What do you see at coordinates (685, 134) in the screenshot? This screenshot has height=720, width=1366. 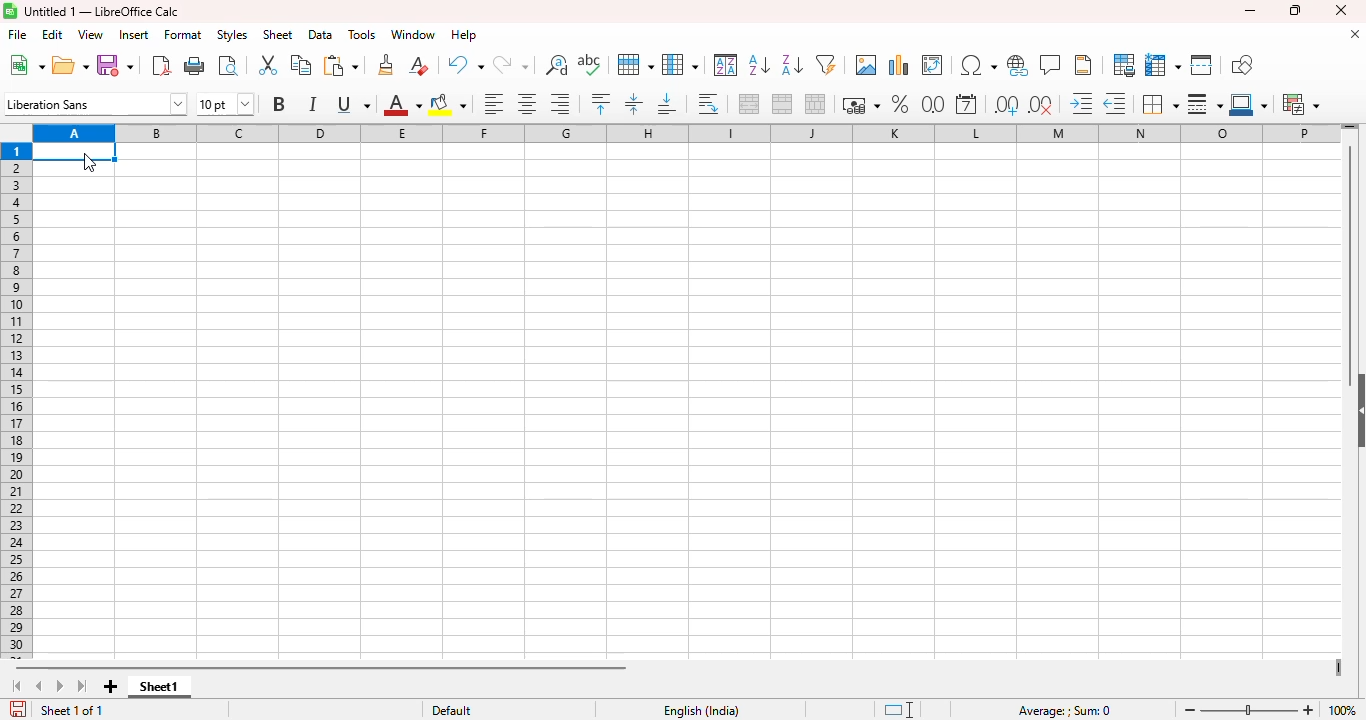 I see `columns` at bounding box center [685, 134].